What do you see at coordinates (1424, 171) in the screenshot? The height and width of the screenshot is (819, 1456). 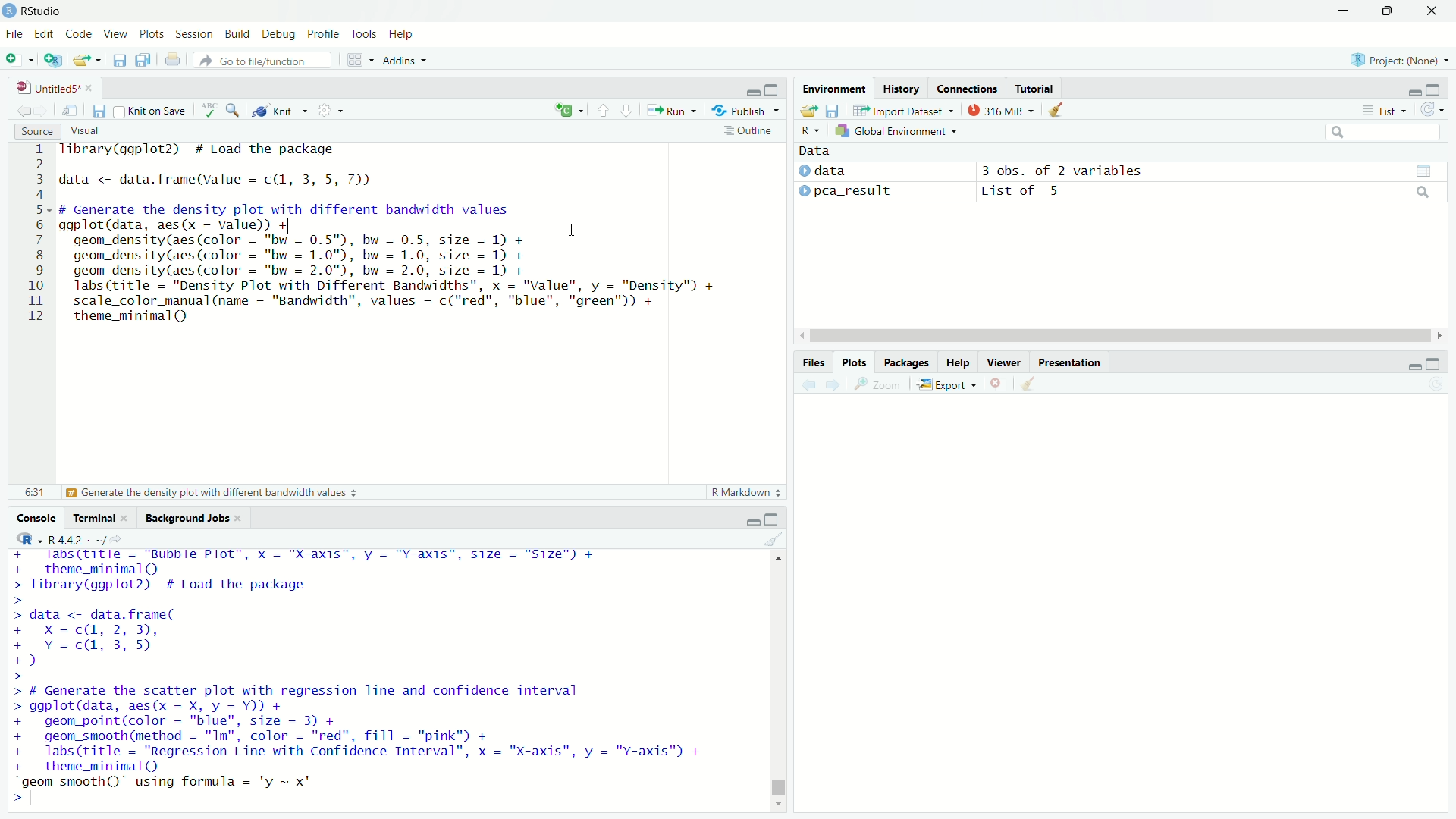 I see `grid view` at bounding box center [1424, 171].